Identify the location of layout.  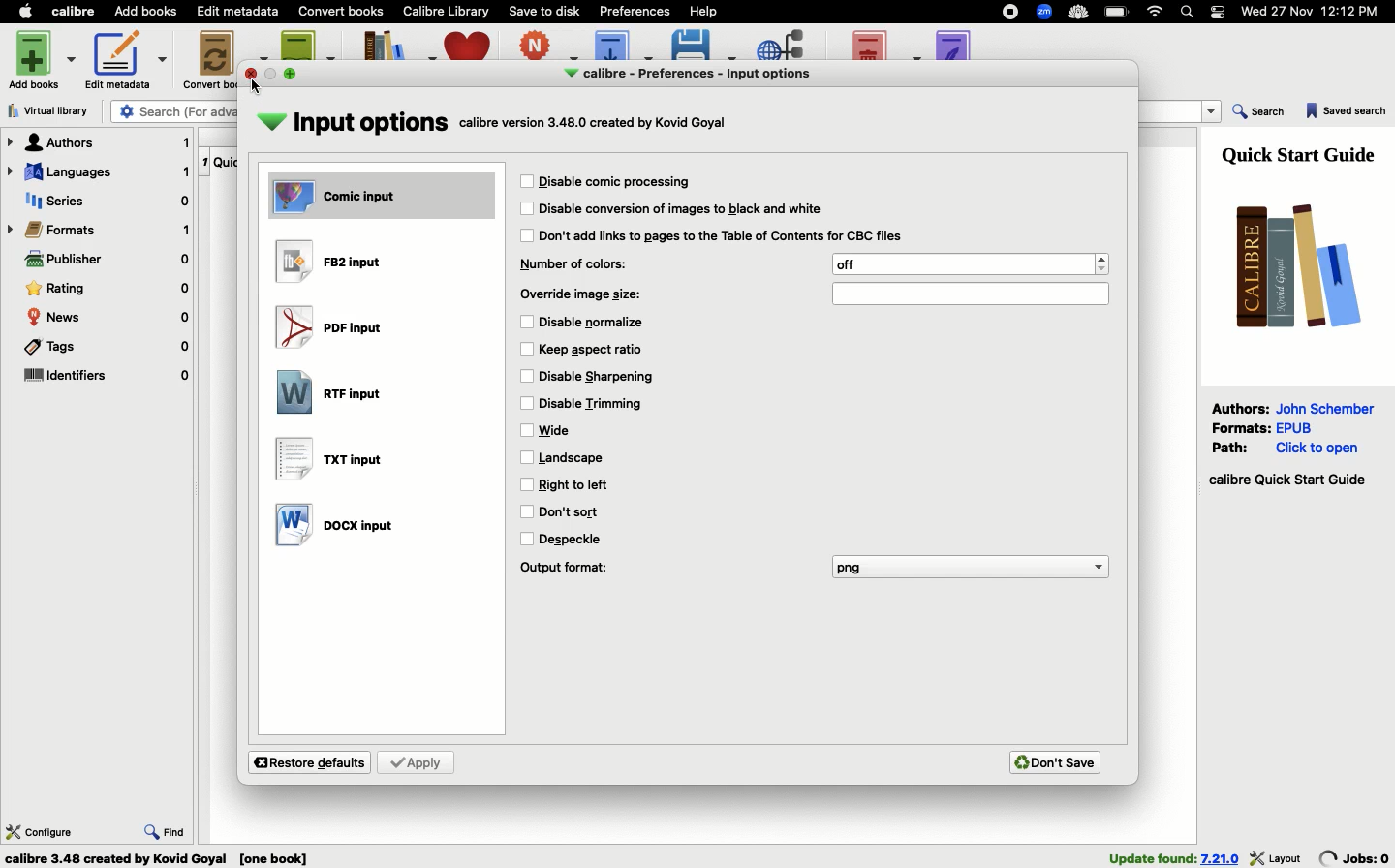
(1277, 857).